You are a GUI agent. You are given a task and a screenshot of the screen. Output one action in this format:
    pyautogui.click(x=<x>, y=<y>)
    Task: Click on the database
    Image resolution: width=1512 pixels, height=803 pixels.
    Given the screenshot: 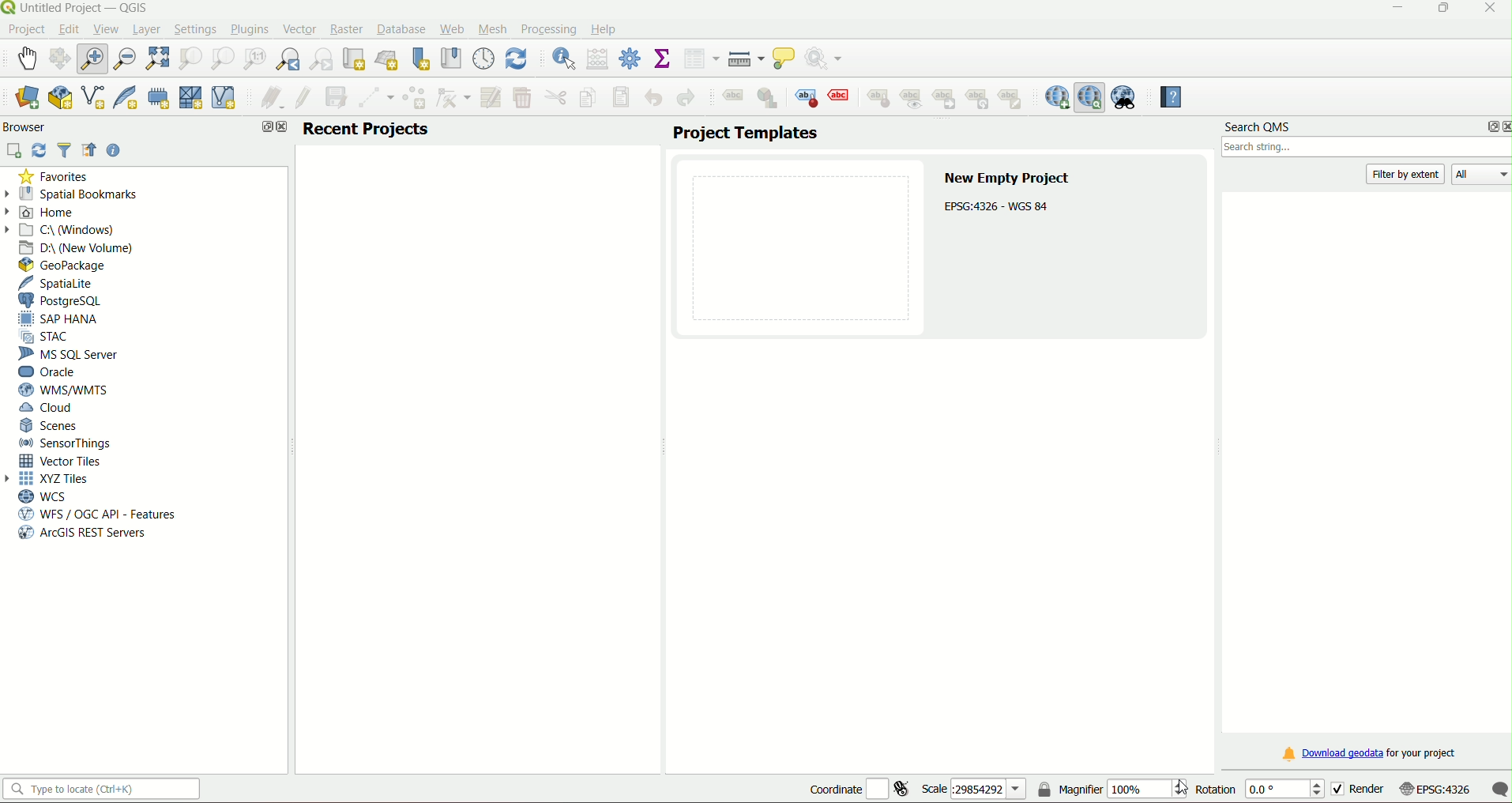 What is the action you would take?
    pyautogui.click(x=403, y=30)
    